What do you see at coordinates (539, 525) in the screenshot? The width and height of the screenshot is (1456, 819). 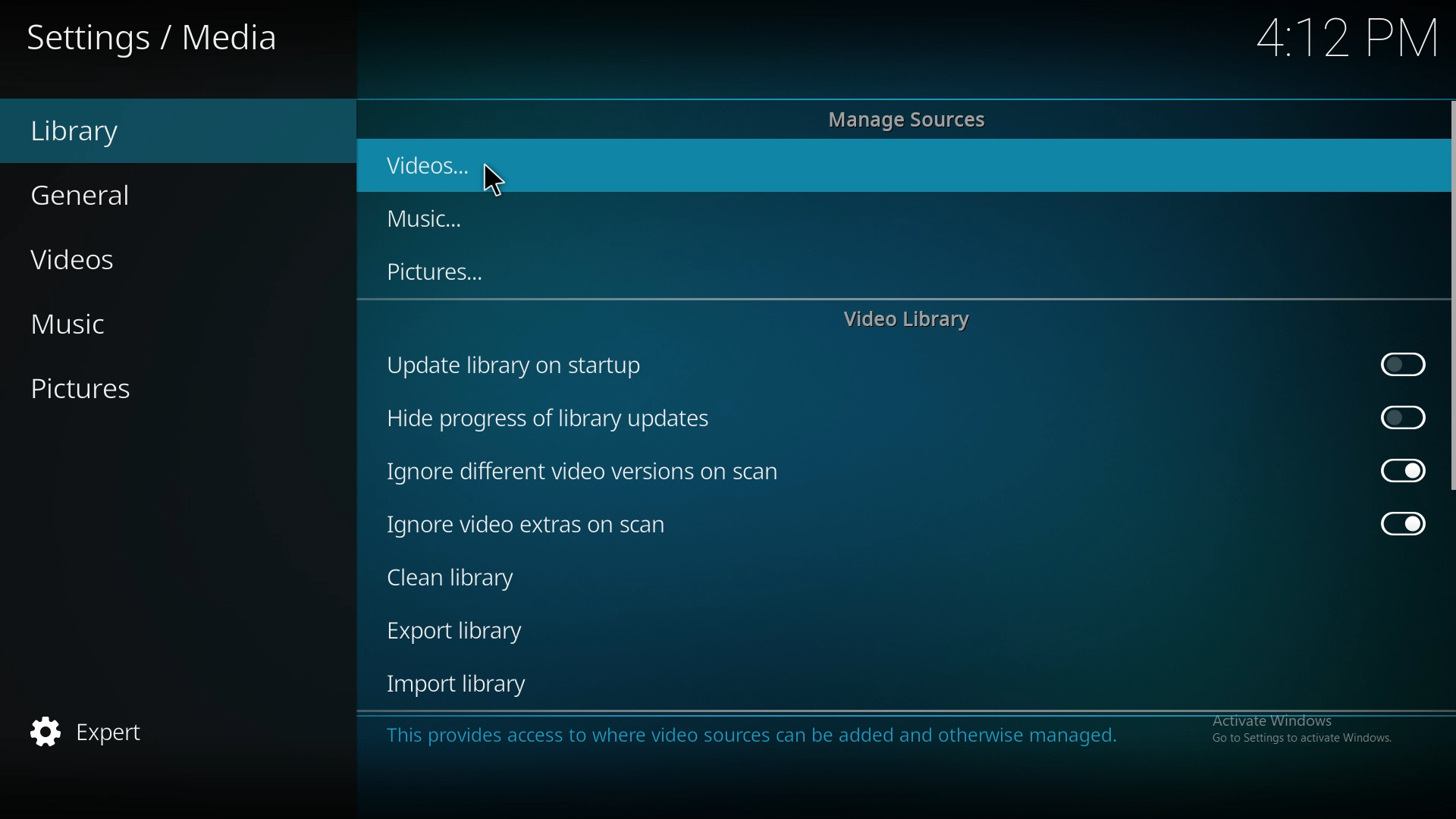 I see `ignore video extras on scan` at bounding box center [539, 525].